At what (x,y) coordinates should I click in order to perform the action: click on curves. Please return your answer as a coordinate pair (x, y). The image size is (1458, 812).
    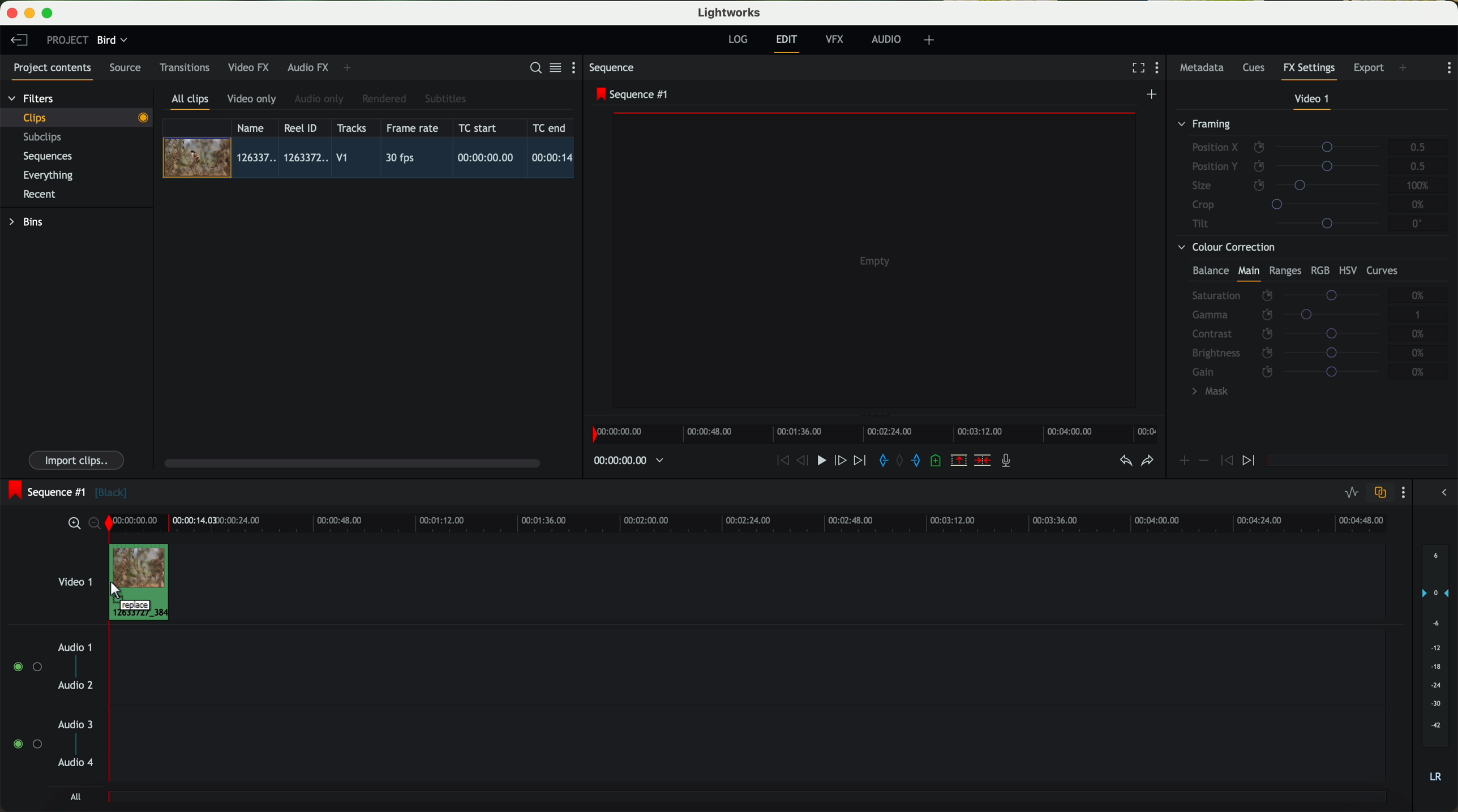
    Looking at the image, I should click on (1382, 271).